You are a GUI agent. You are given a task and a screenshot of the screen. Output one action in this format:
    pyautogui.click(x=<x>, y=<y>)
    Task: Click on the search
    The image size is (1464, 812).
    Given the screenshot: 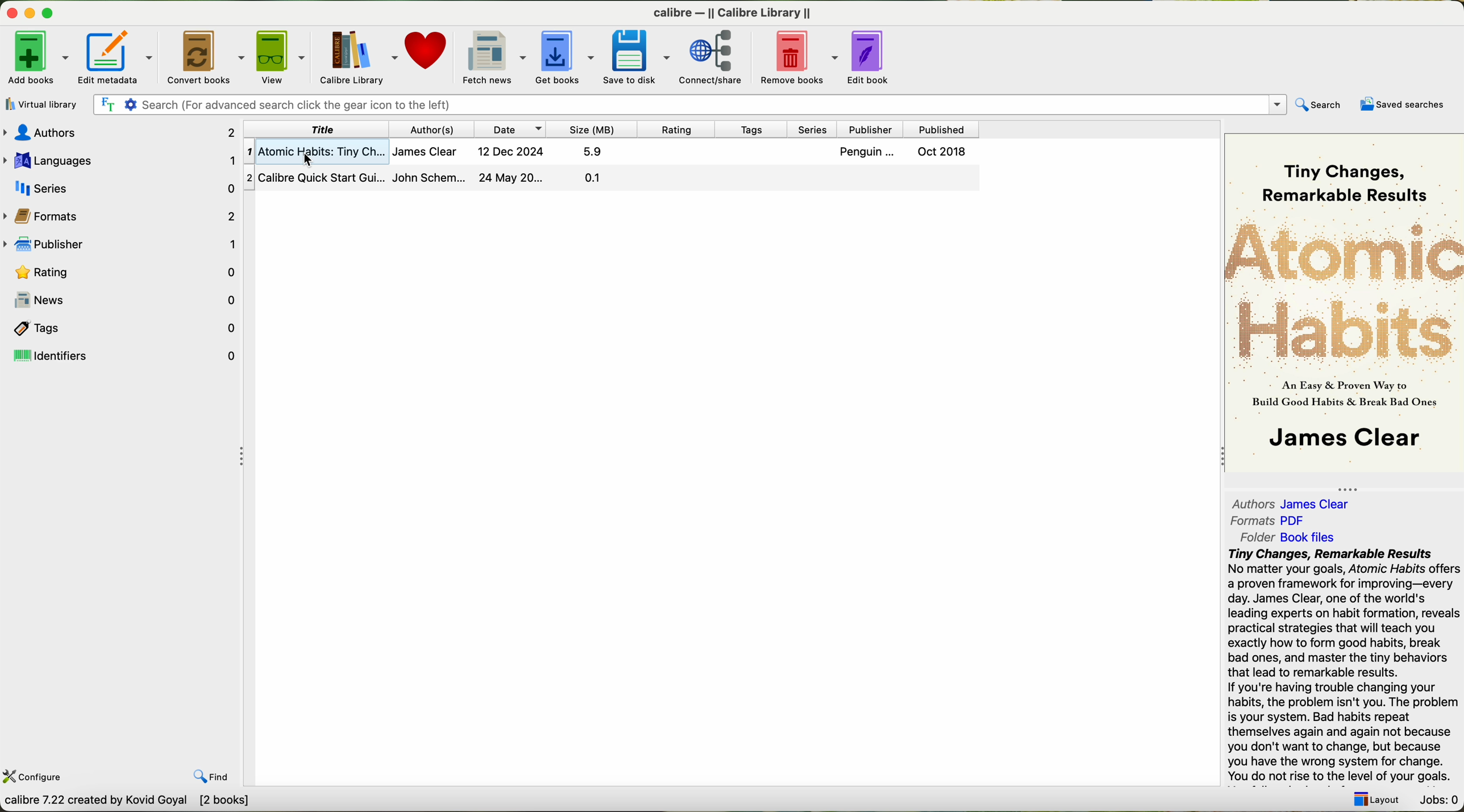 What is the action you would take?
    pyautogui.click(x=1319, y=106)
    